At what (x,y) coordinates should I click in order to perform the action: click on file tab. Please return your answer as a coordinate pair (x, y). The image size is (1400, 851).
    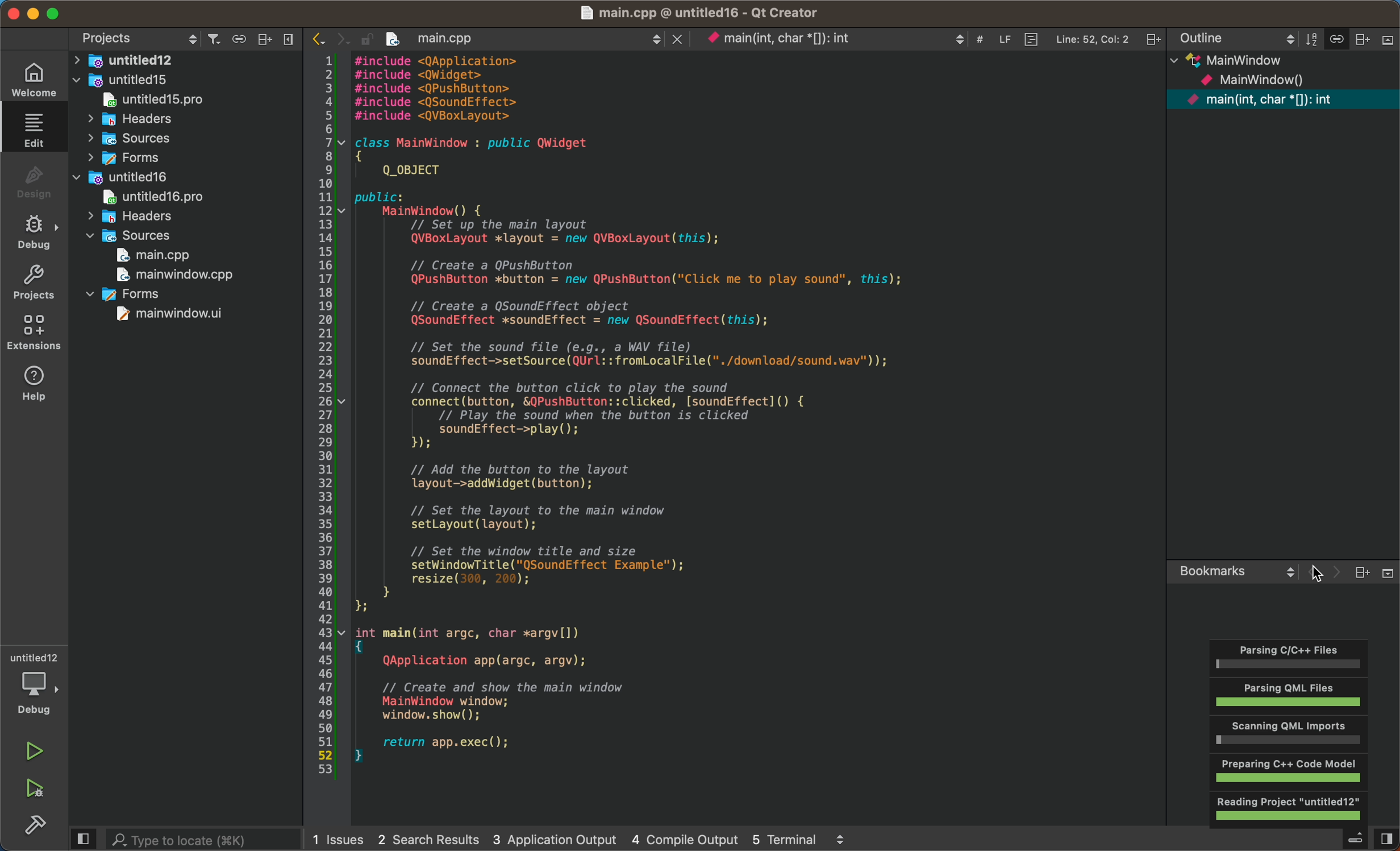
    Looking at the image, I should click on (774, 41).